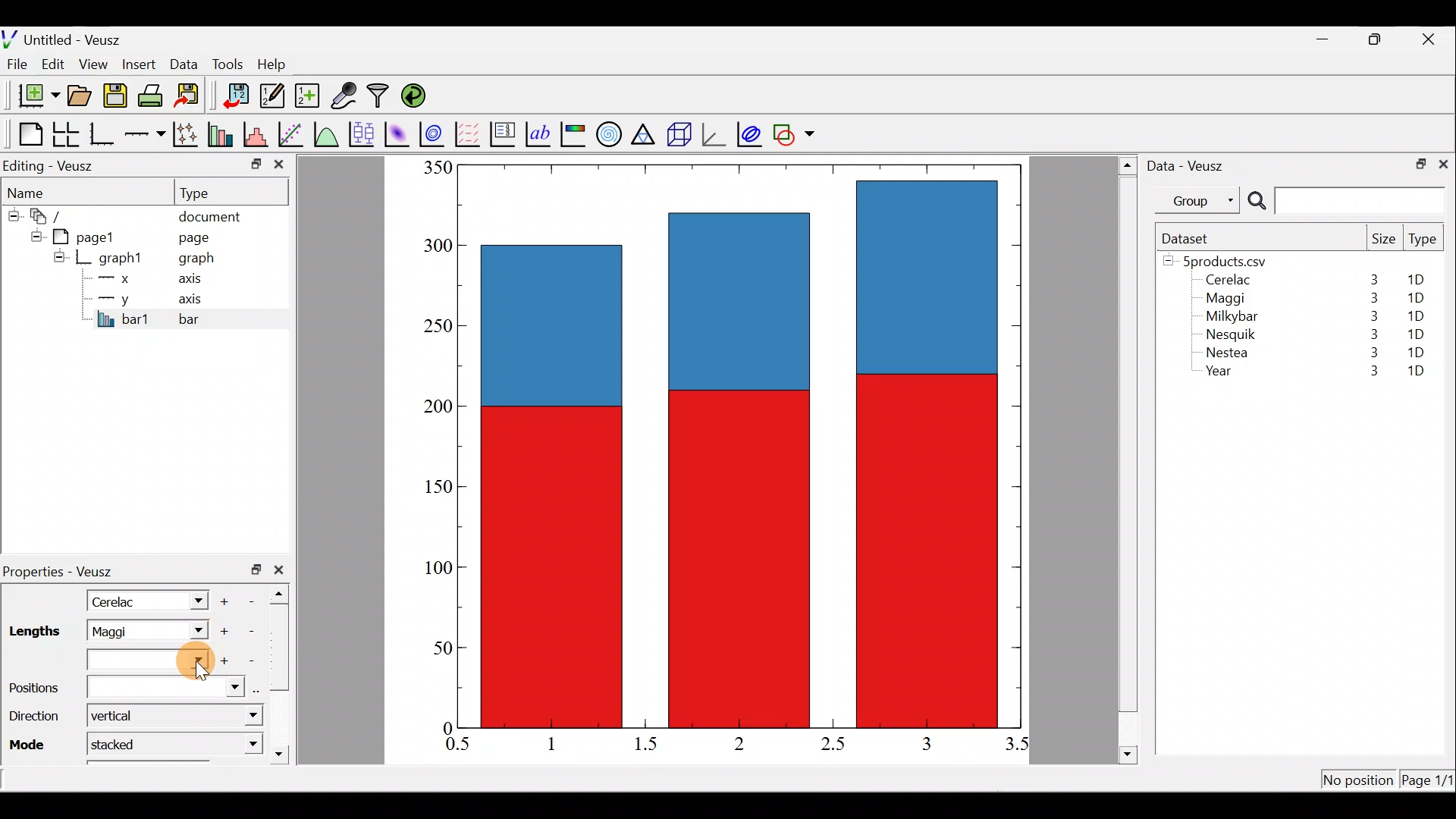 The width and height of the screenshot is (1456, 819). What do you see at coordinates (256, 570) in the screenshot?
I see `restore down` at bounding box center [256, 570].